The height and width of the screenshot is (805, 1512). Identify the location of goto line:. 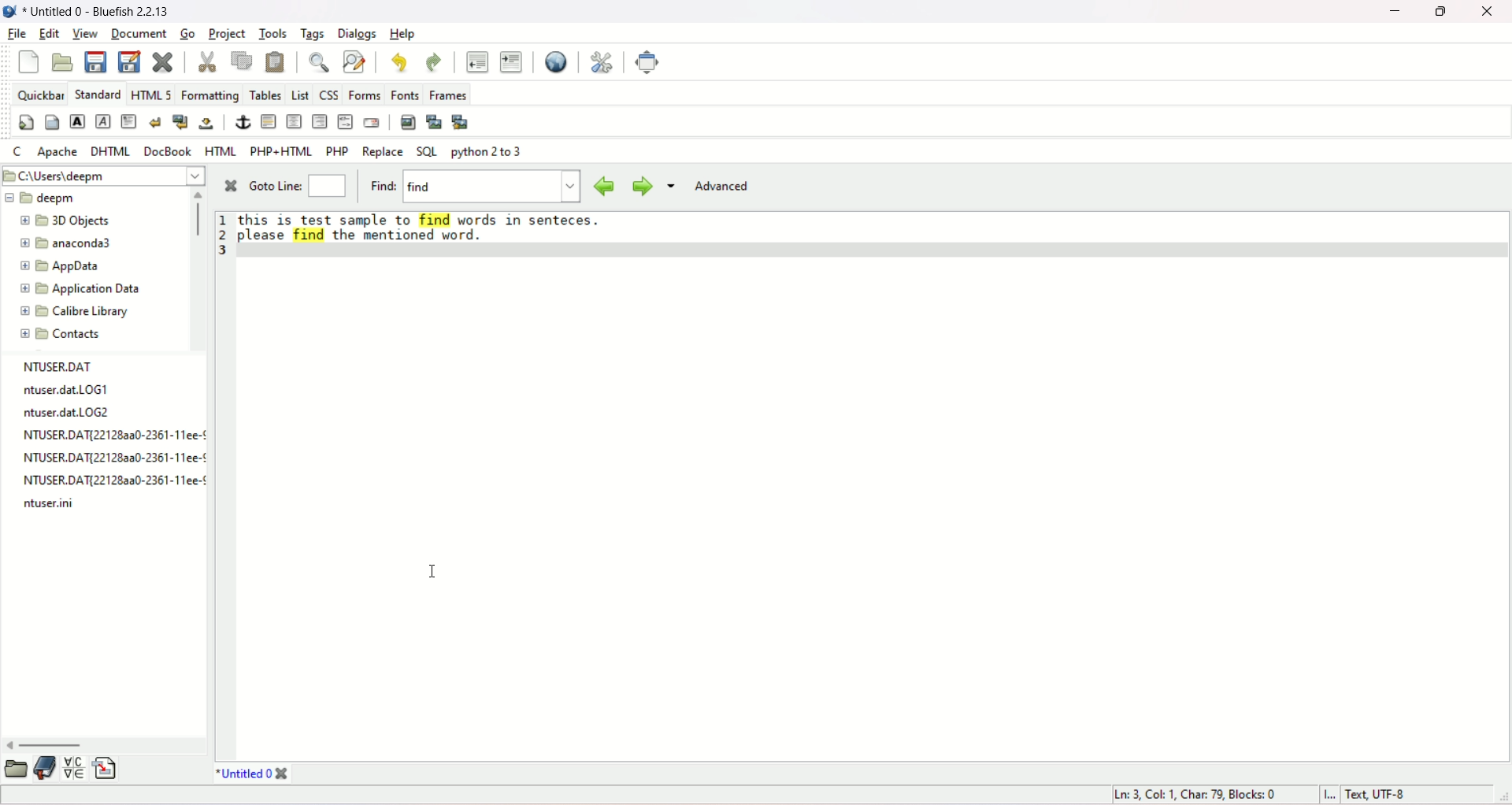
(301, 188).